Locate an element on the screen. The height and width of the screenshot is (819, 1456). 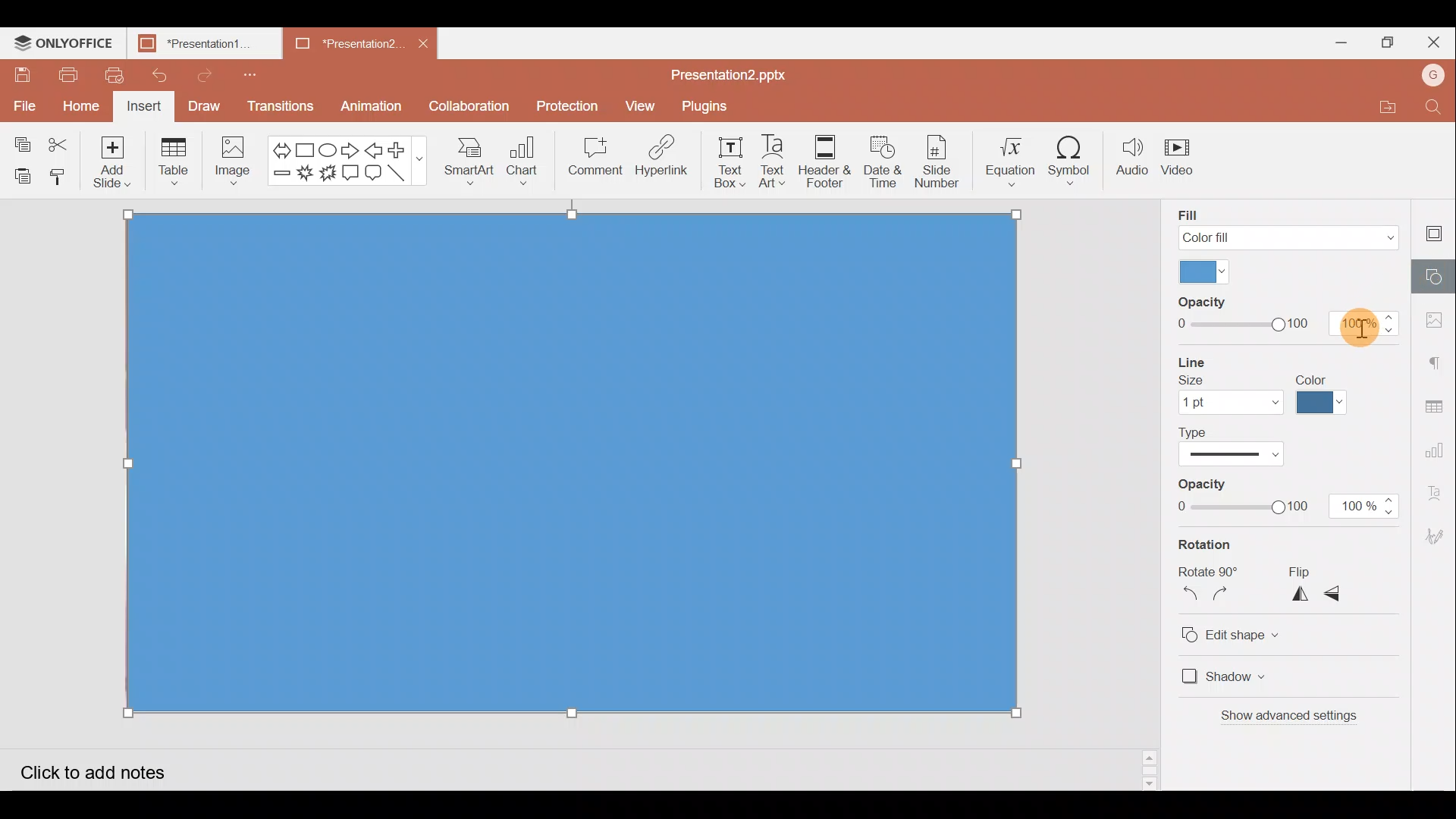
Line color is located at coordinates (1329, 393).